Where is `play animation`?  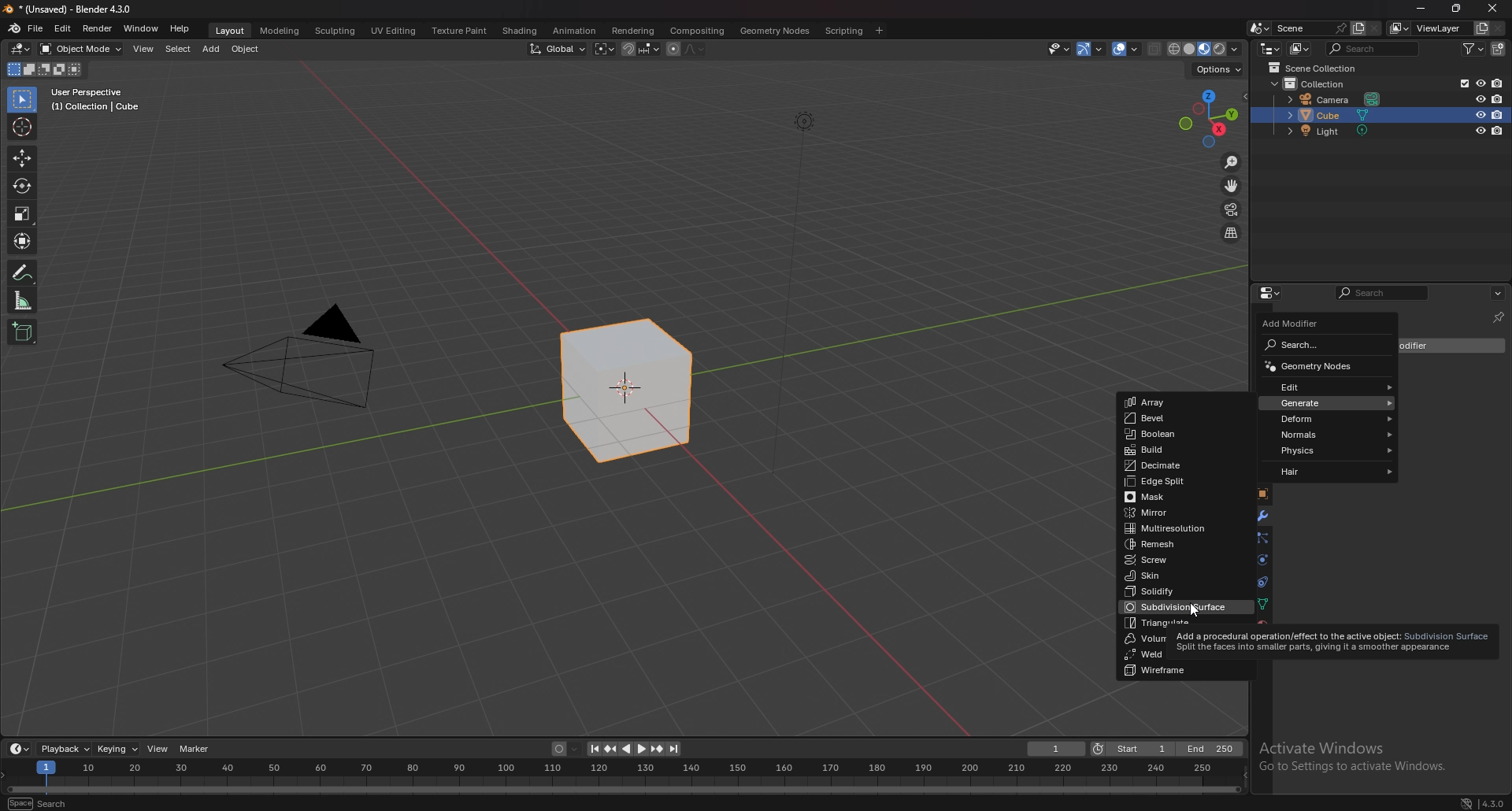 play animation is located at coordinates (635, 749).